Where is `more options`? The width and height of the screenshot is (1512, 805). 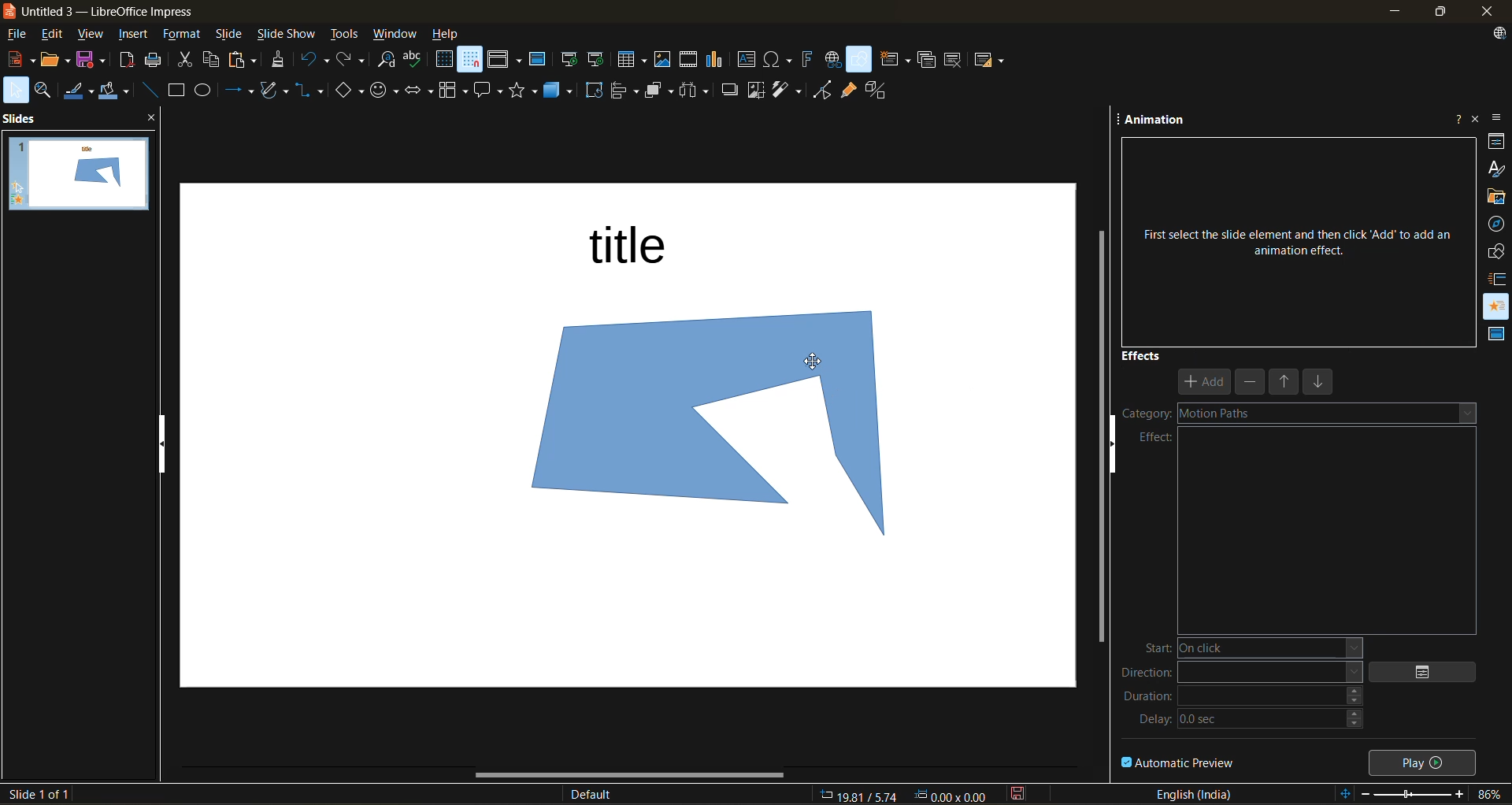
more options is located at coordinates (1465, 142).